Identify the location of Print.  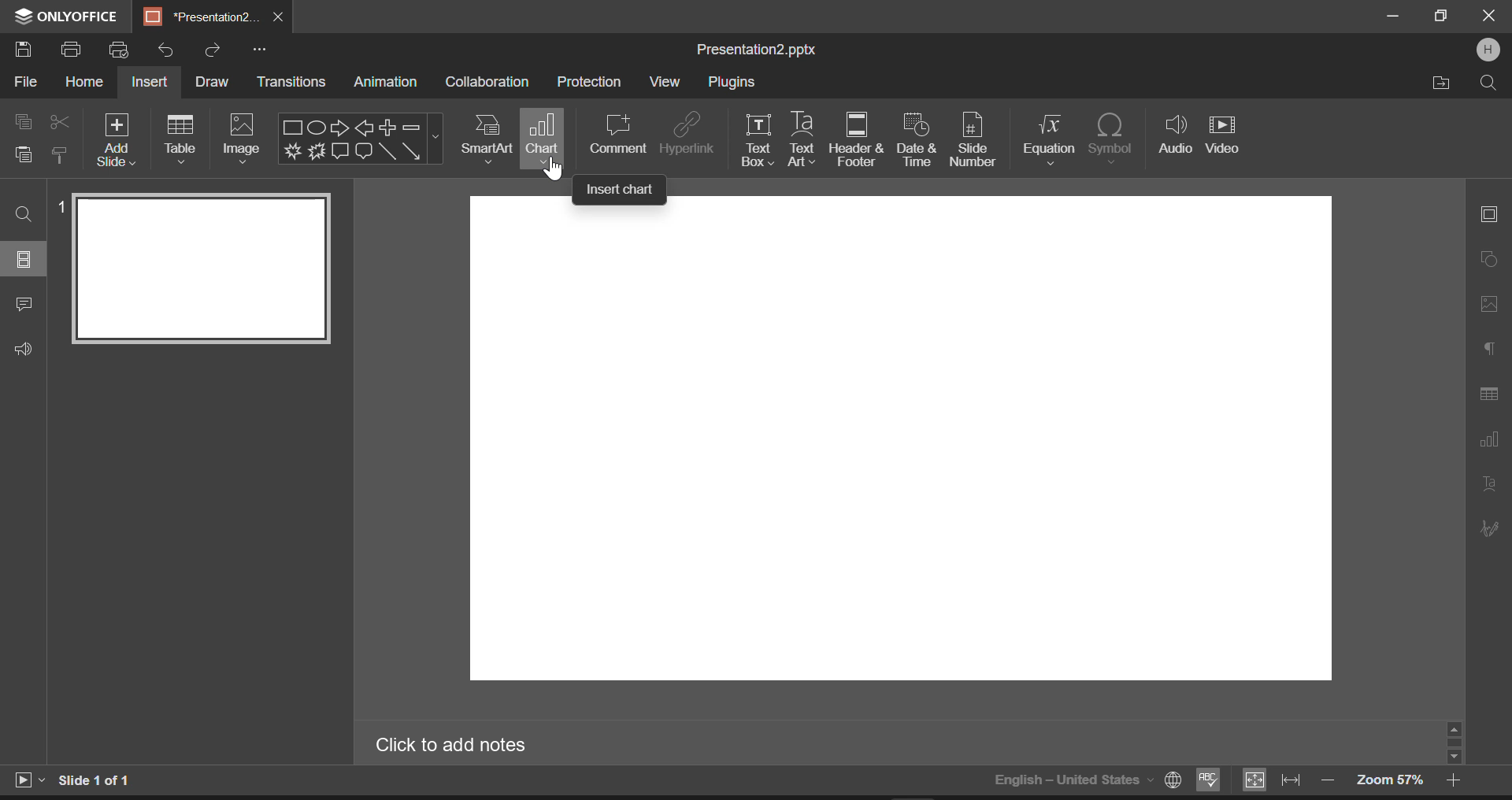
(74, 51).